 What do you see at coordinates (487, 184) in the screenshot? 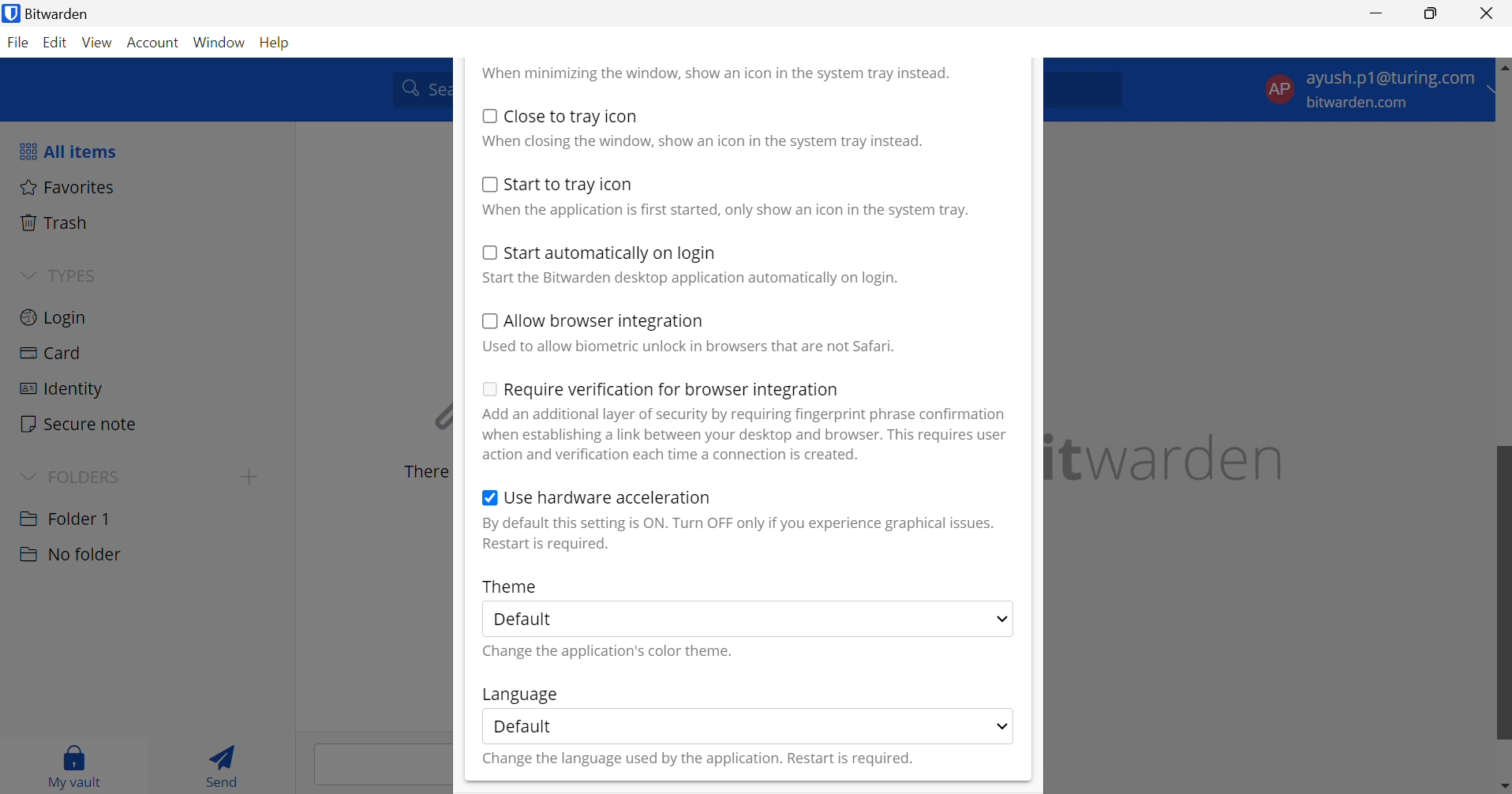
I see `Checkbox` at bounding box center [487, 184].